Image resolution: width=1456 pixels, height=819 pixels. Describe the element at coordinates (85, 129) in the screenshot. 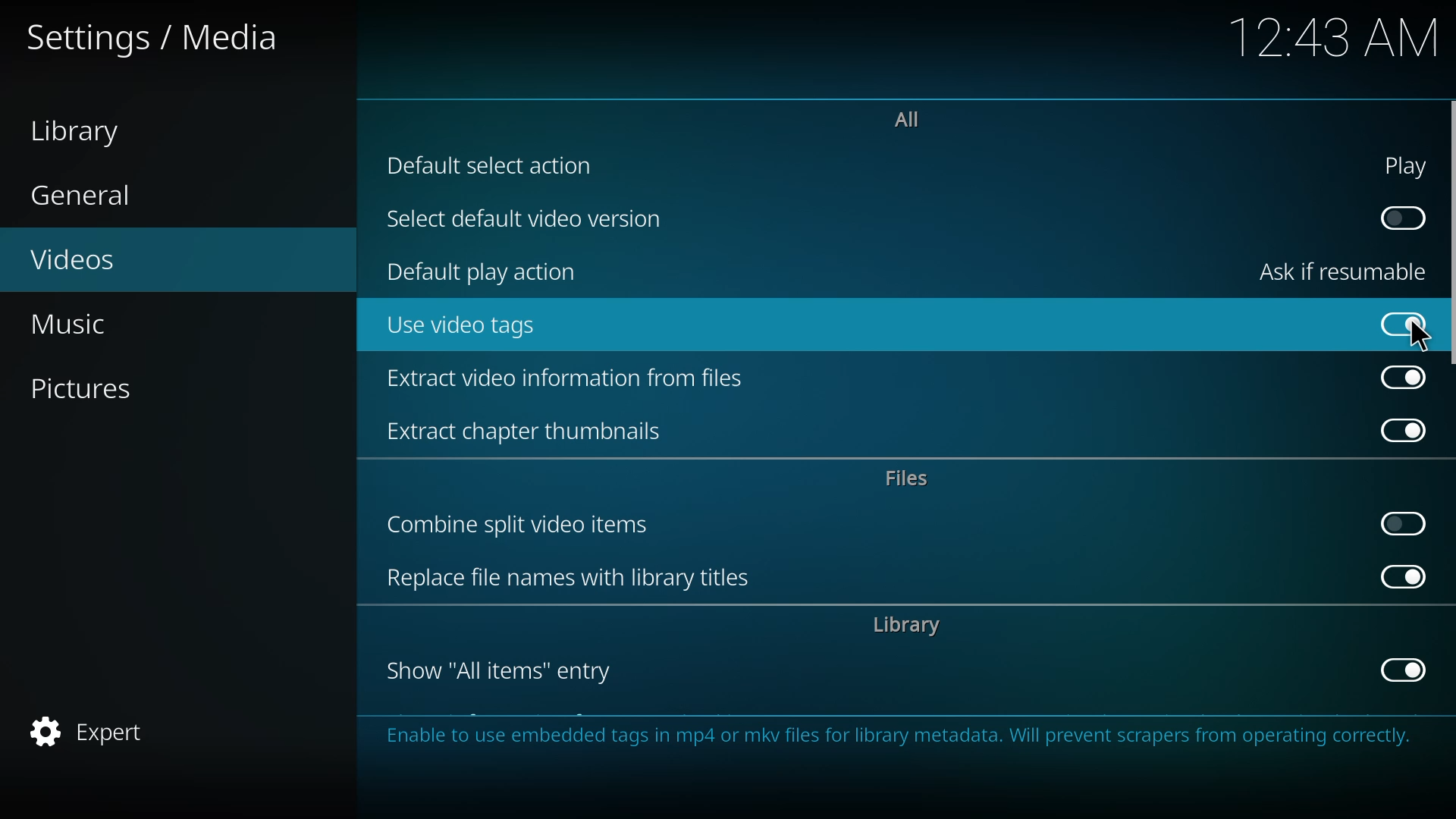

I see `library` at that location.